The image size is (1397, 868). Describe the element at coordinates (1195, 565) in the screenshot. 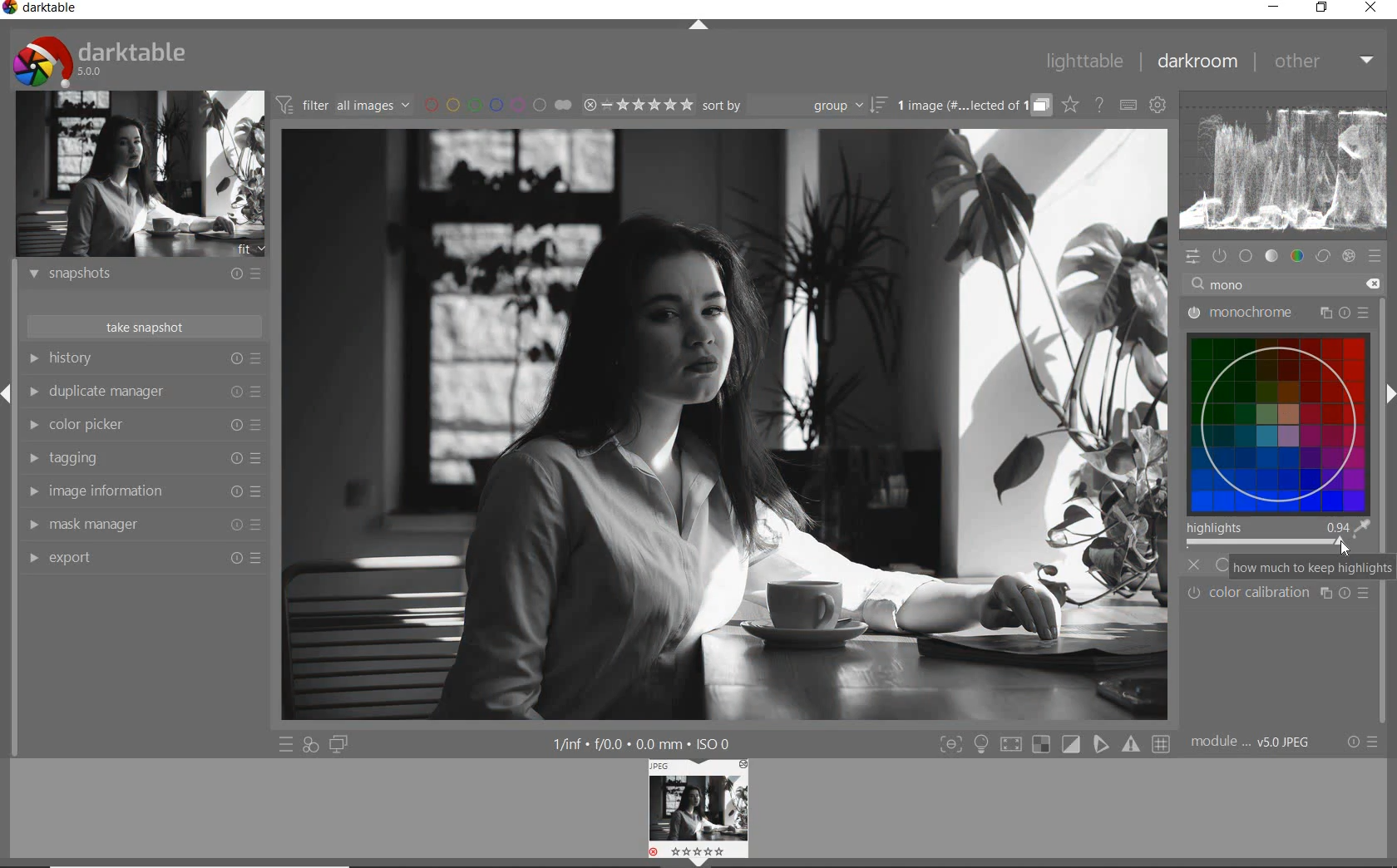

I see `off` at that location.